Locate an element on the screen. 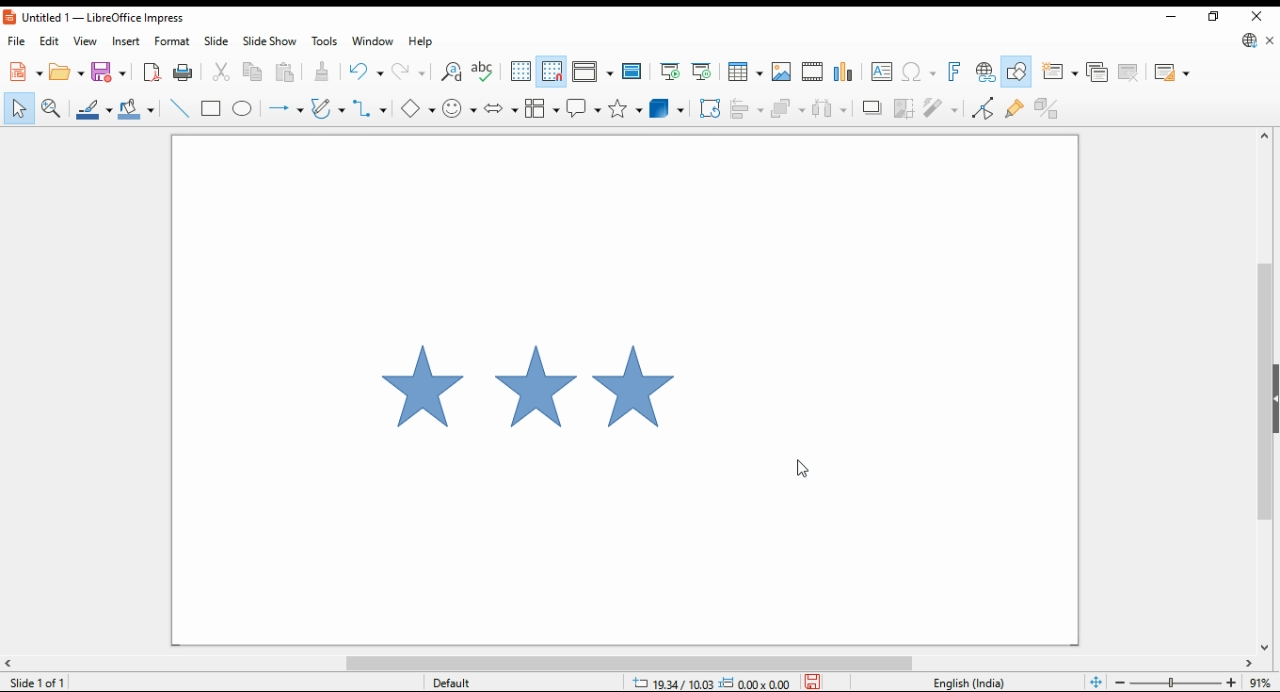 The width and height of the screenshot is (1280, 692). save is located at coordinates (109, 71).